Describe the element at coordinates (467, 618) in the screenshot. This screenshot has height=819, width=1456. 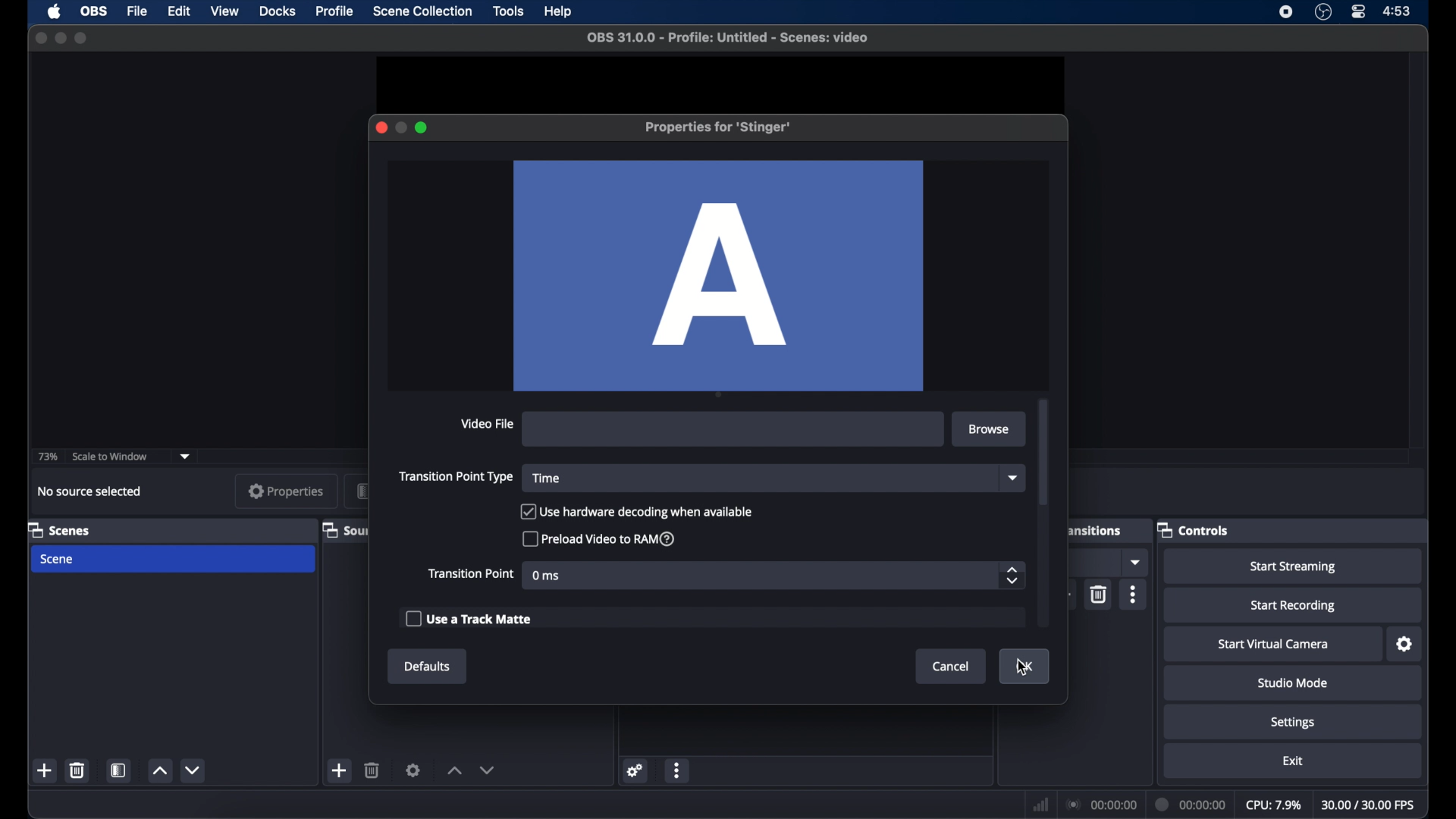
I see `checkbox` at that location.